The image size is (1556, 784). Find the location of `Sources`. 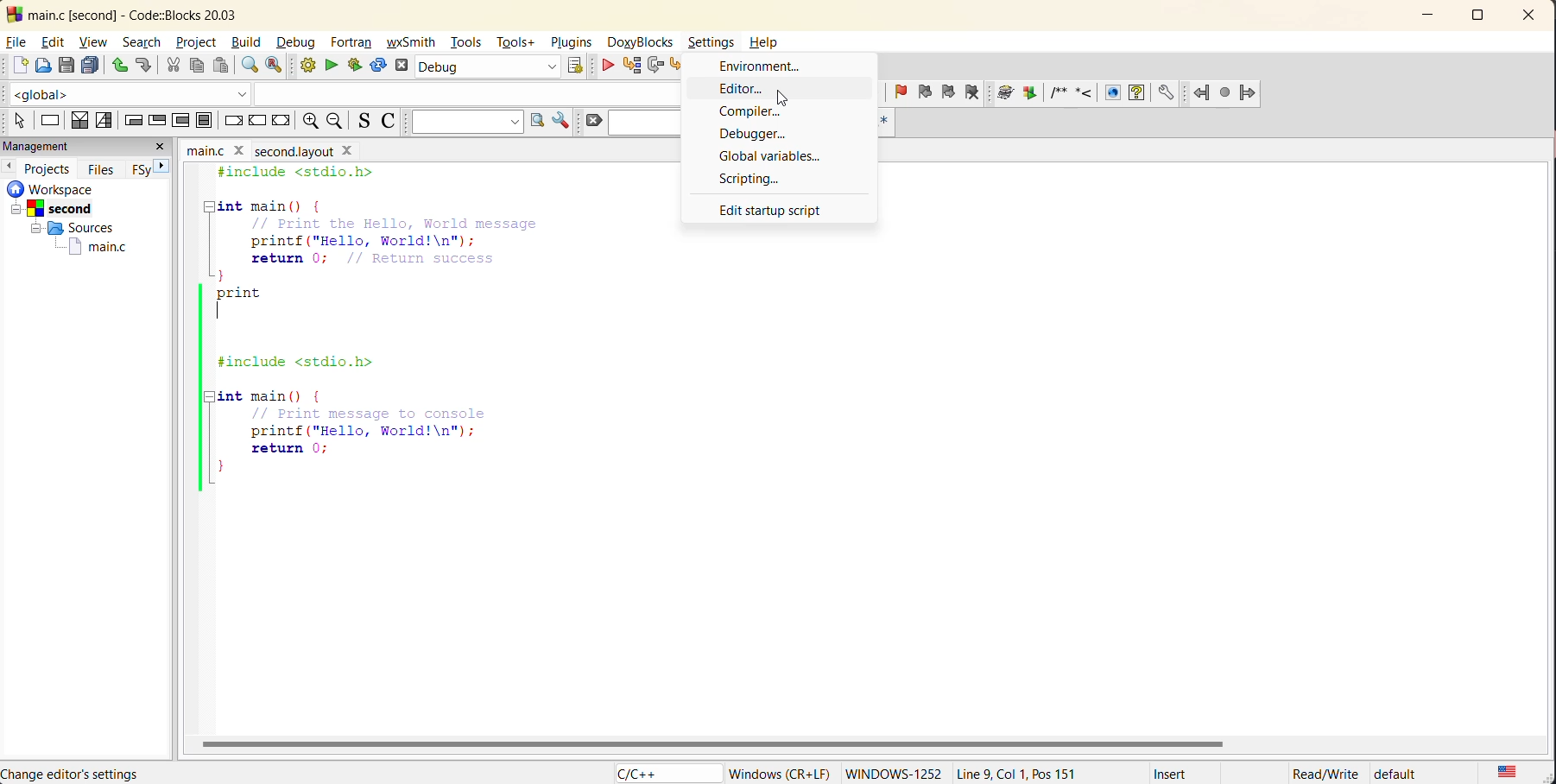

Sources is located at coordinates (66, 228).